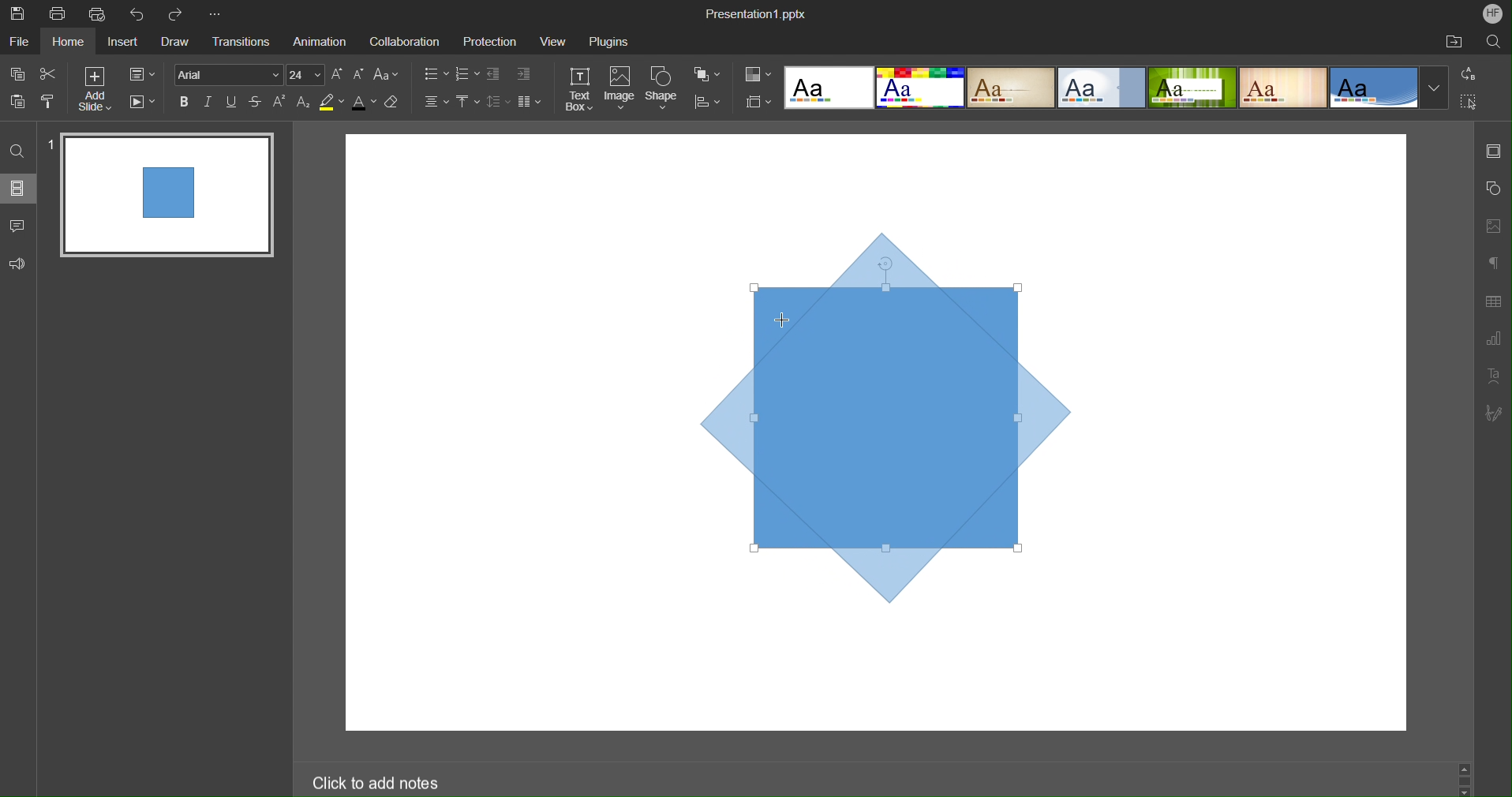 The height and width of the screenshot is (797, 1512). What do you see at coordinates (1495, 413) in the screenshot?
I see `Signature` at bounding box center [1495, 413].